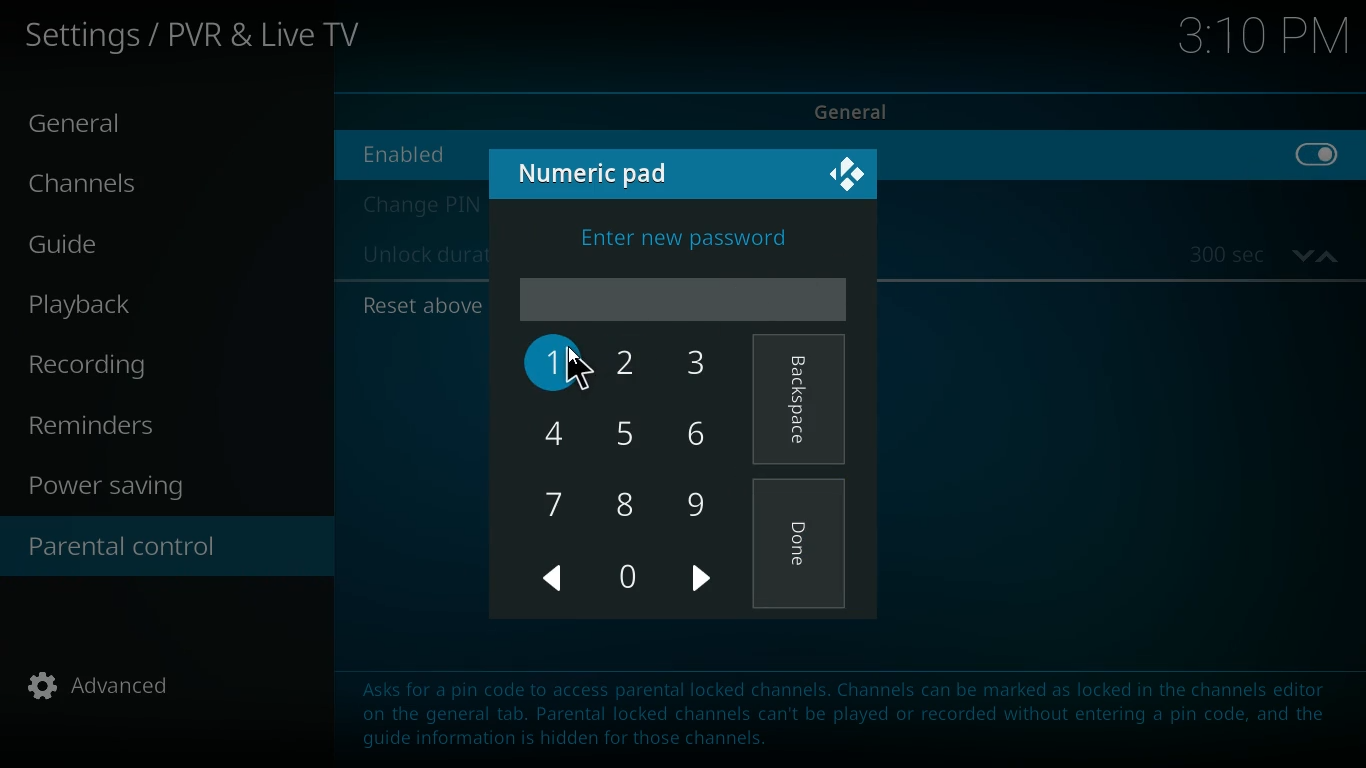  Describe the element at coordinates (101, 427) in the screenshot. I see `reminders` at that location.